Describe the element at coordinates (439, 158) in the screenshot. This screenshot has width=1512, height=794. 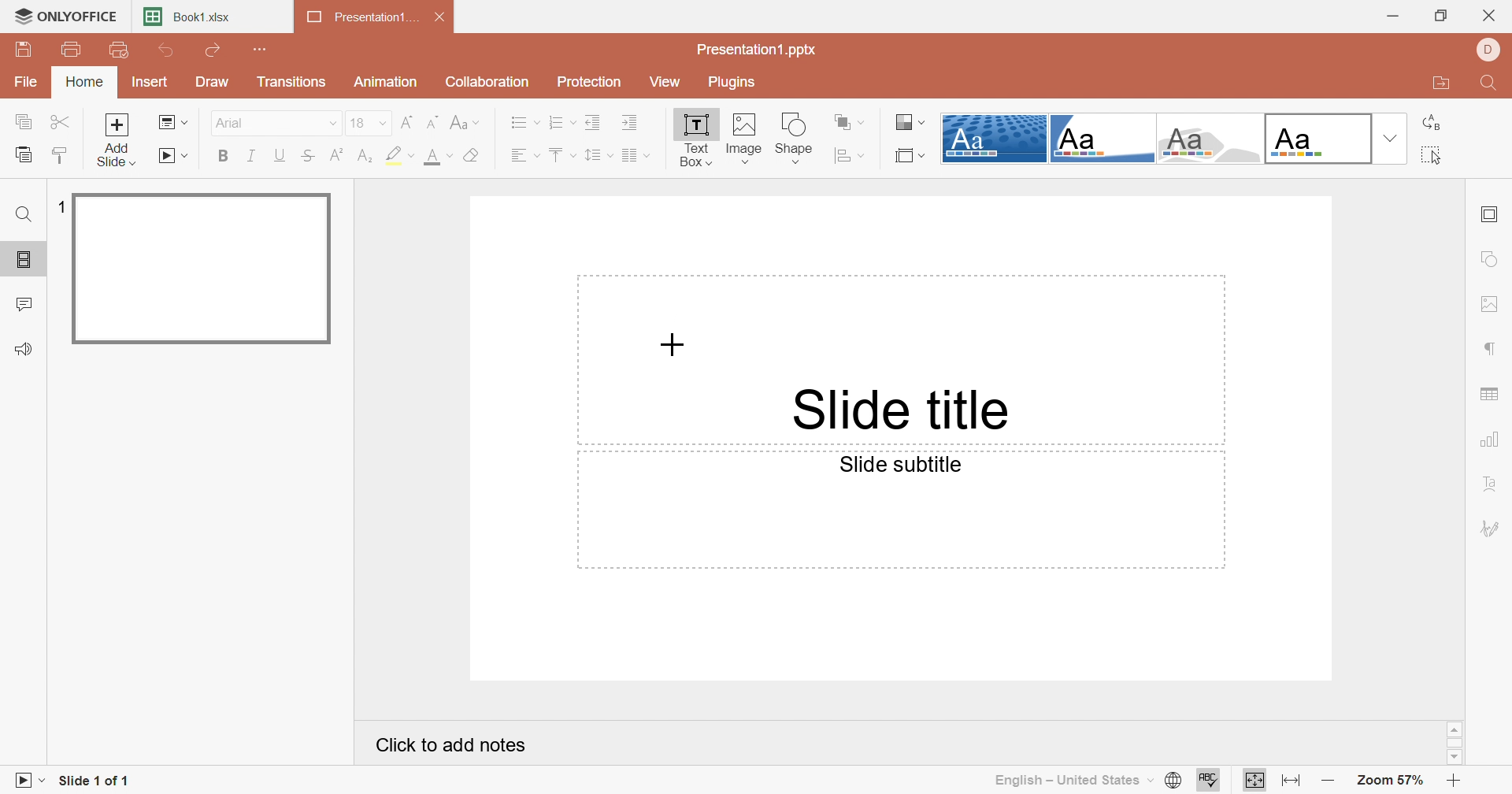
I see `Font color` at that location.